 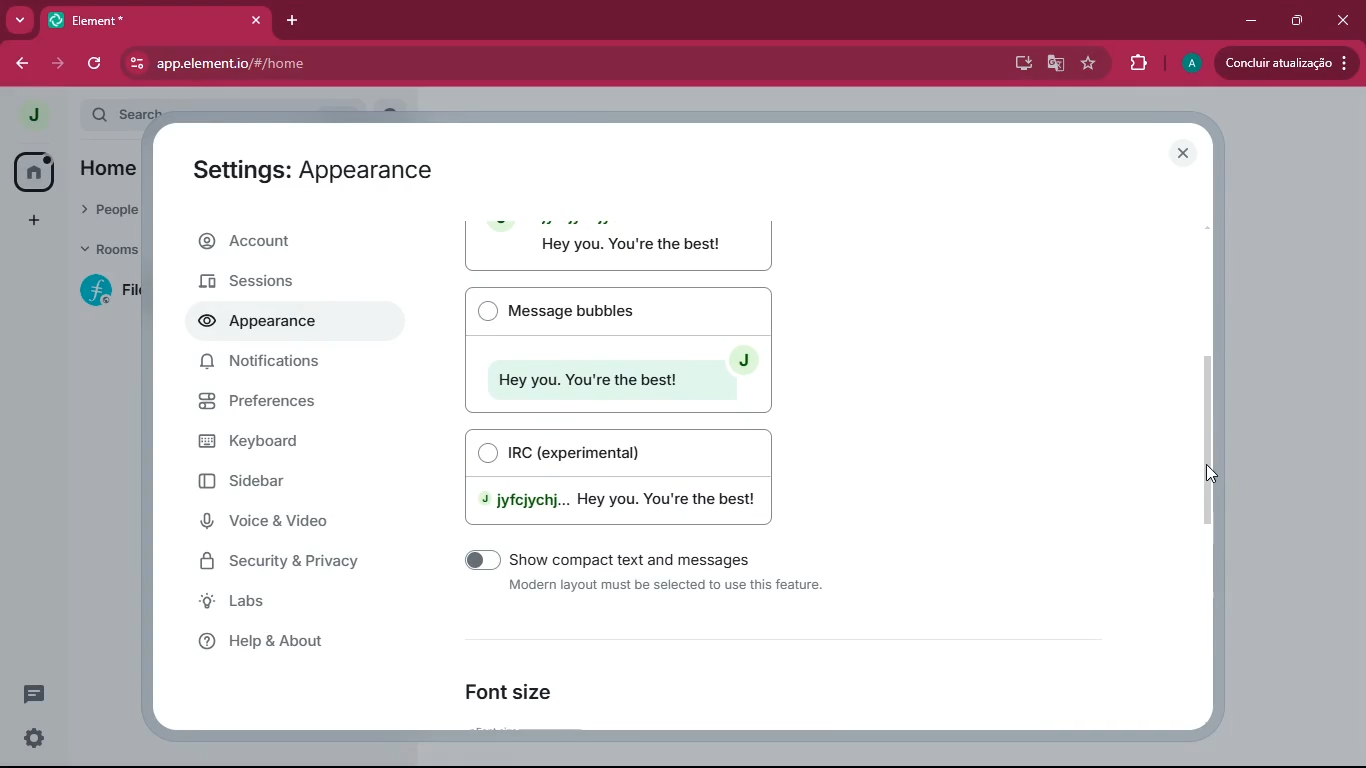 I want to click on preferences, so click(x=285, y=403).